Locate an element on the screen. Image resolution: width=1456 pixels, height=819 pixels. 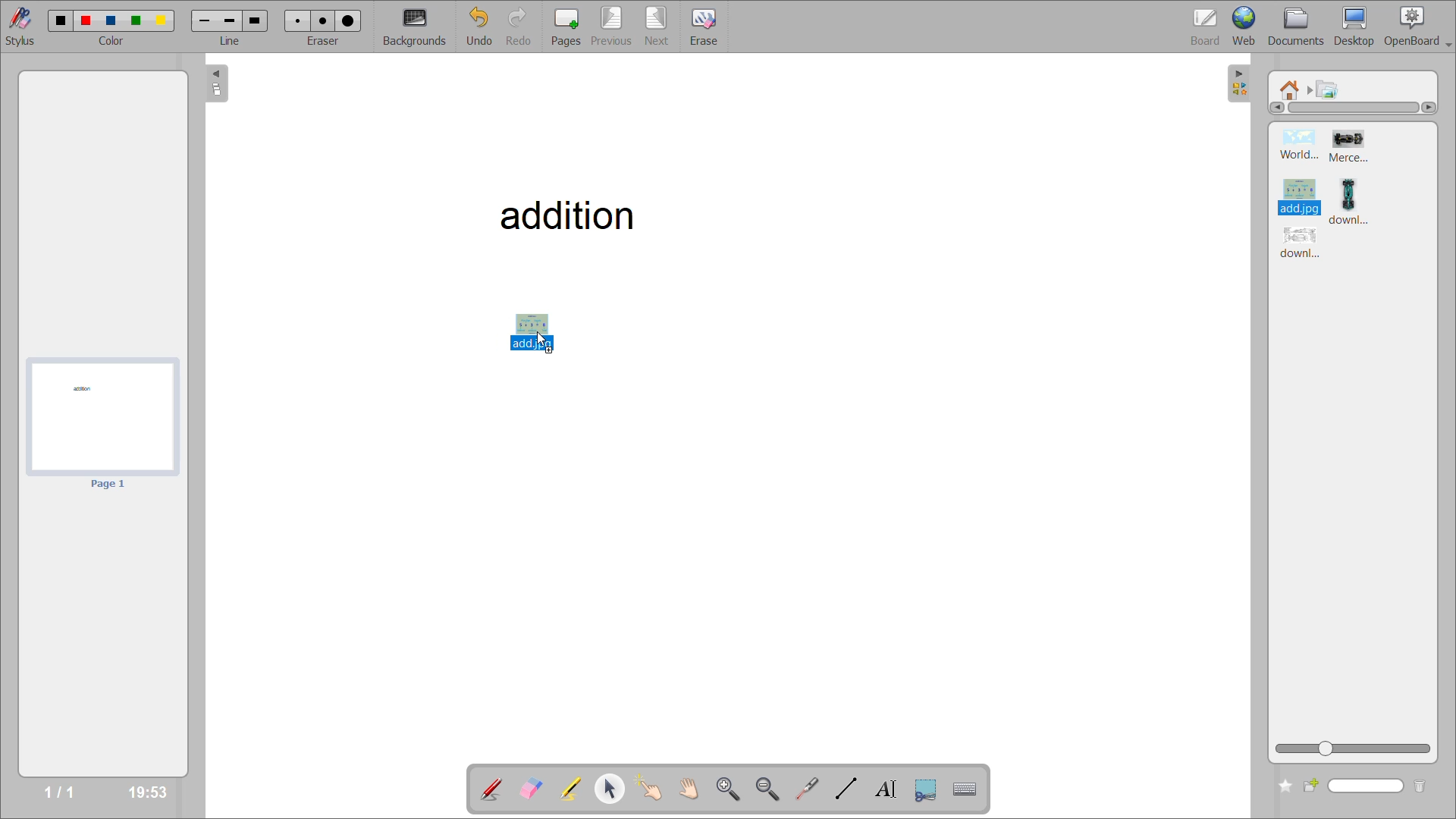
color 1 is located at coordinates (63, 21).